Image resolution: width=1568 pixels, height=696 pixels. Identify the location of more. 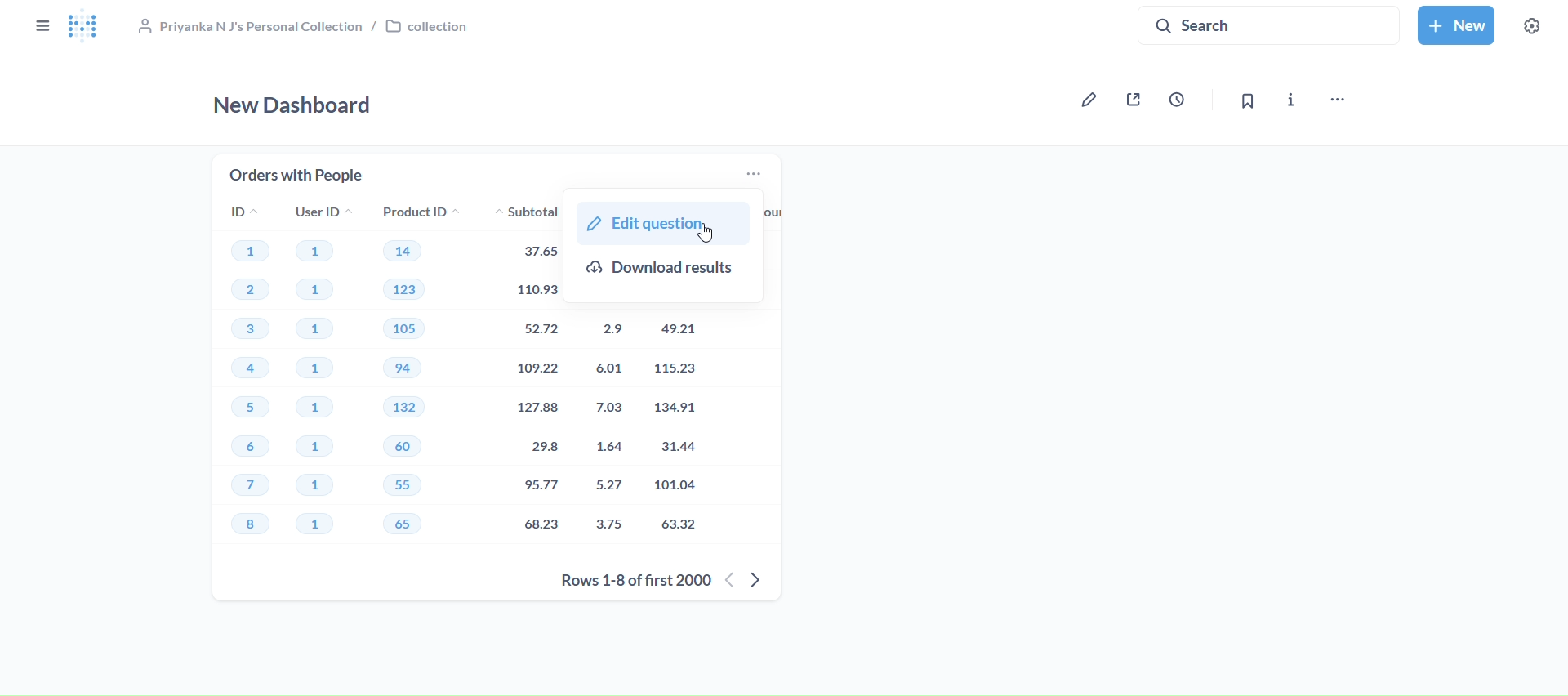
(759, 177).